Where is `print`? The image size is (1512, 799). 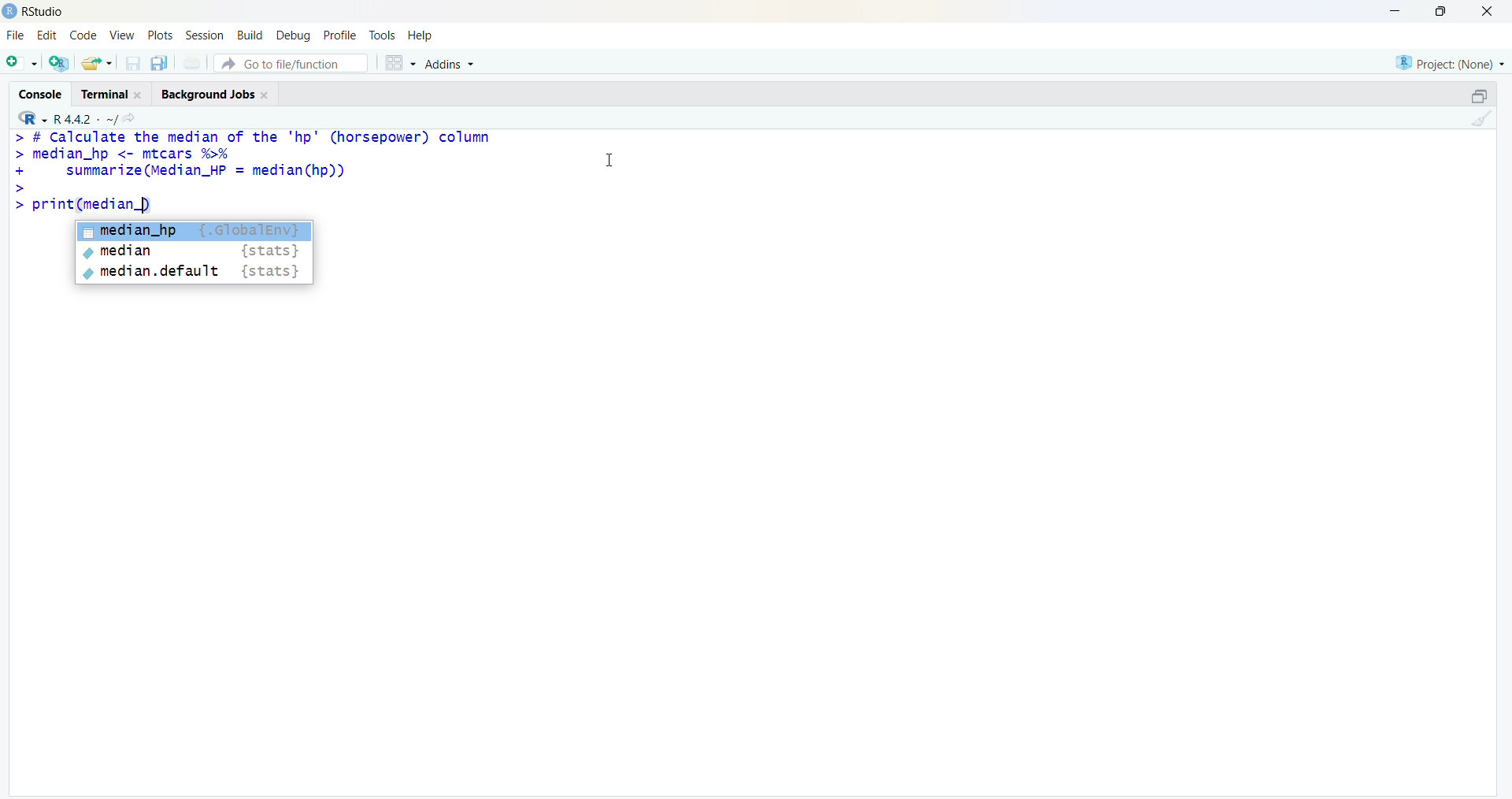
print is located at coordinates (192, 63).